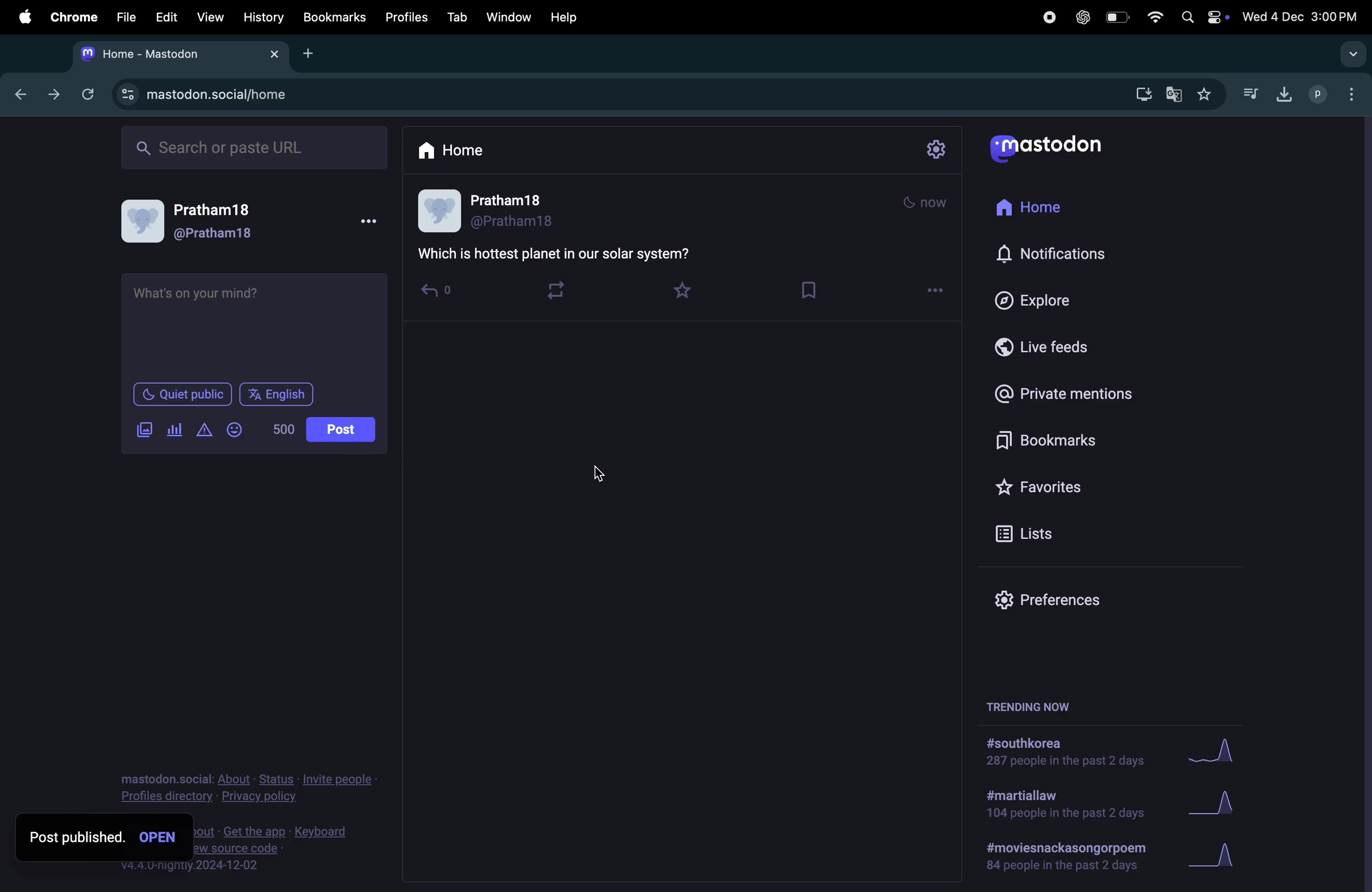 This screenshot has width=1372, height=892. I want to click on window, so click(507, 16).